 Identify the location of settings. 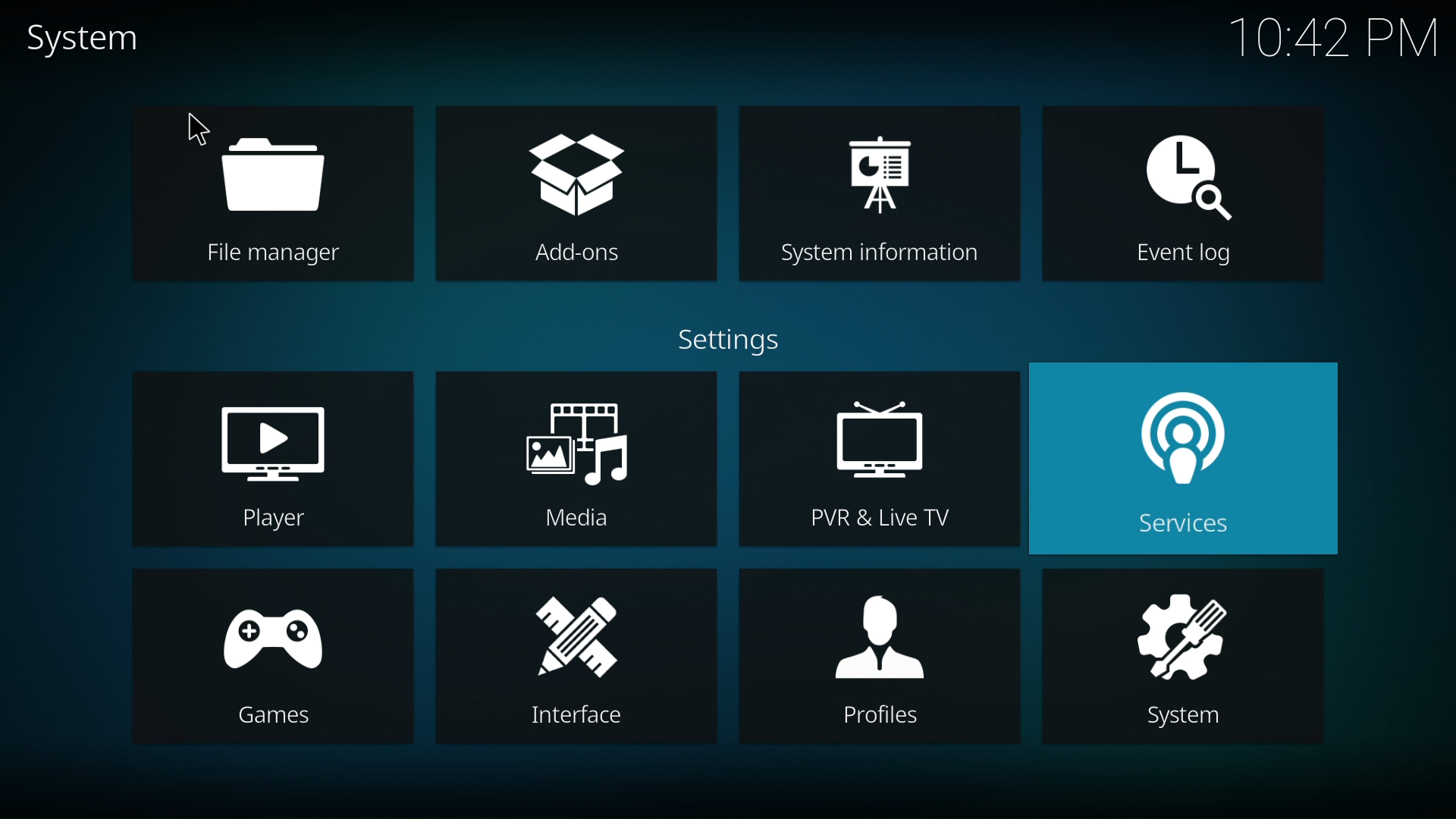
(737, 339).